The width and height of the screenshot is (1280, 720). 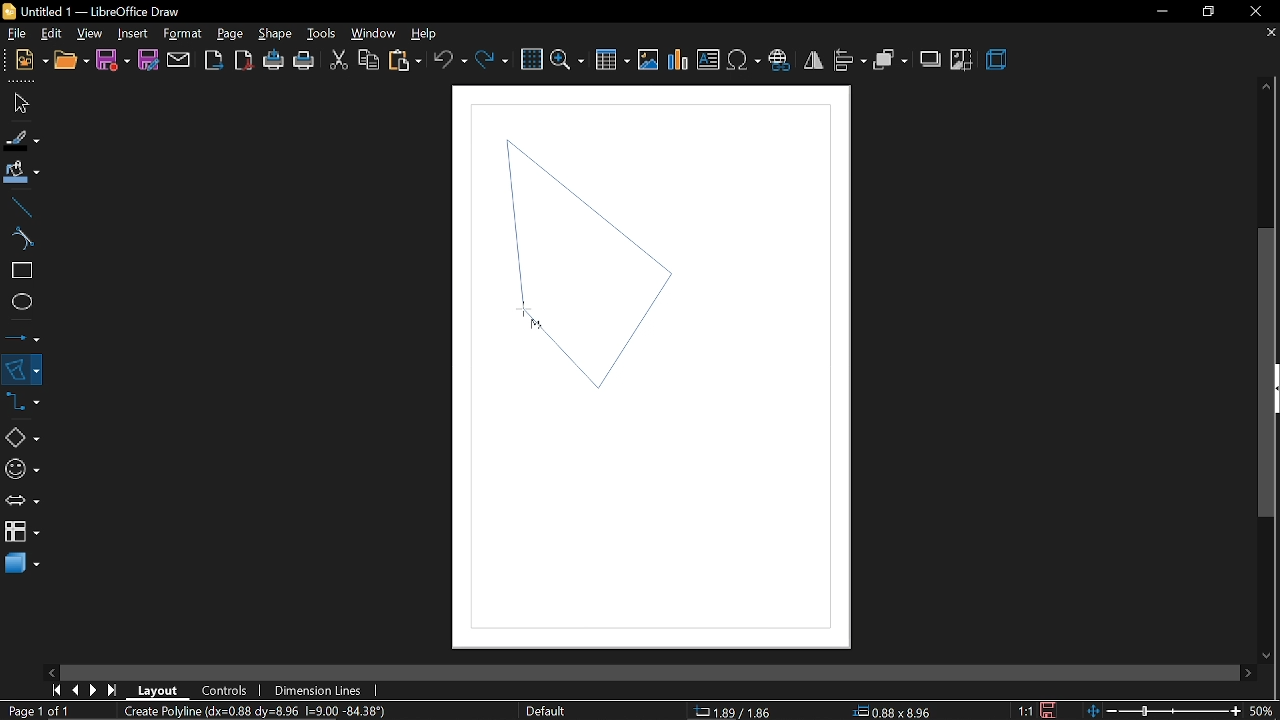 I want to click on restore down, so click(x=1209, y=11).